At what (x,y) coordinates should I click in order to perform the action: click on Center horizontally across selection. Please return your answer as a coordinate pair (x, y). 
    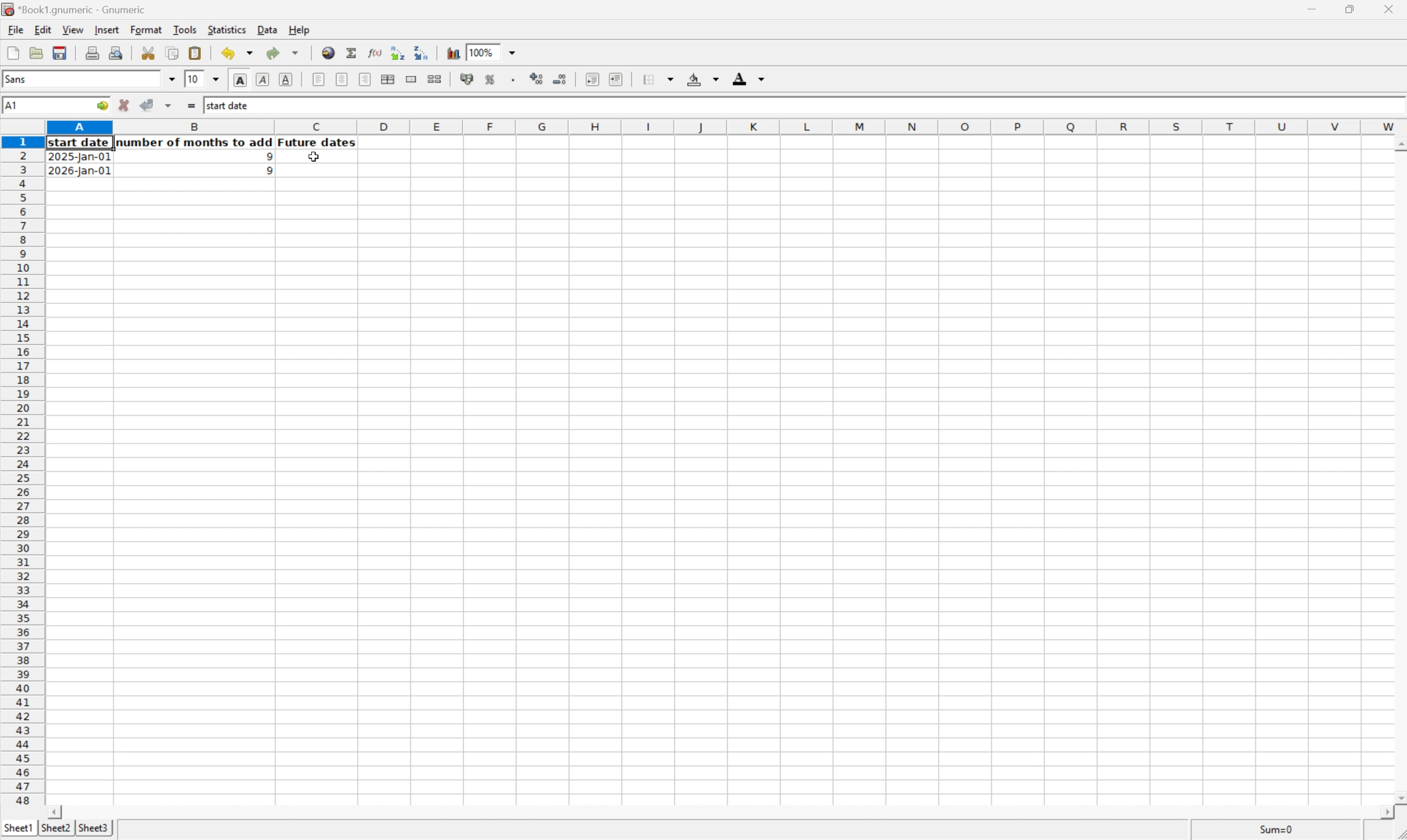
    Looking at the image, I should click on (389, 80).